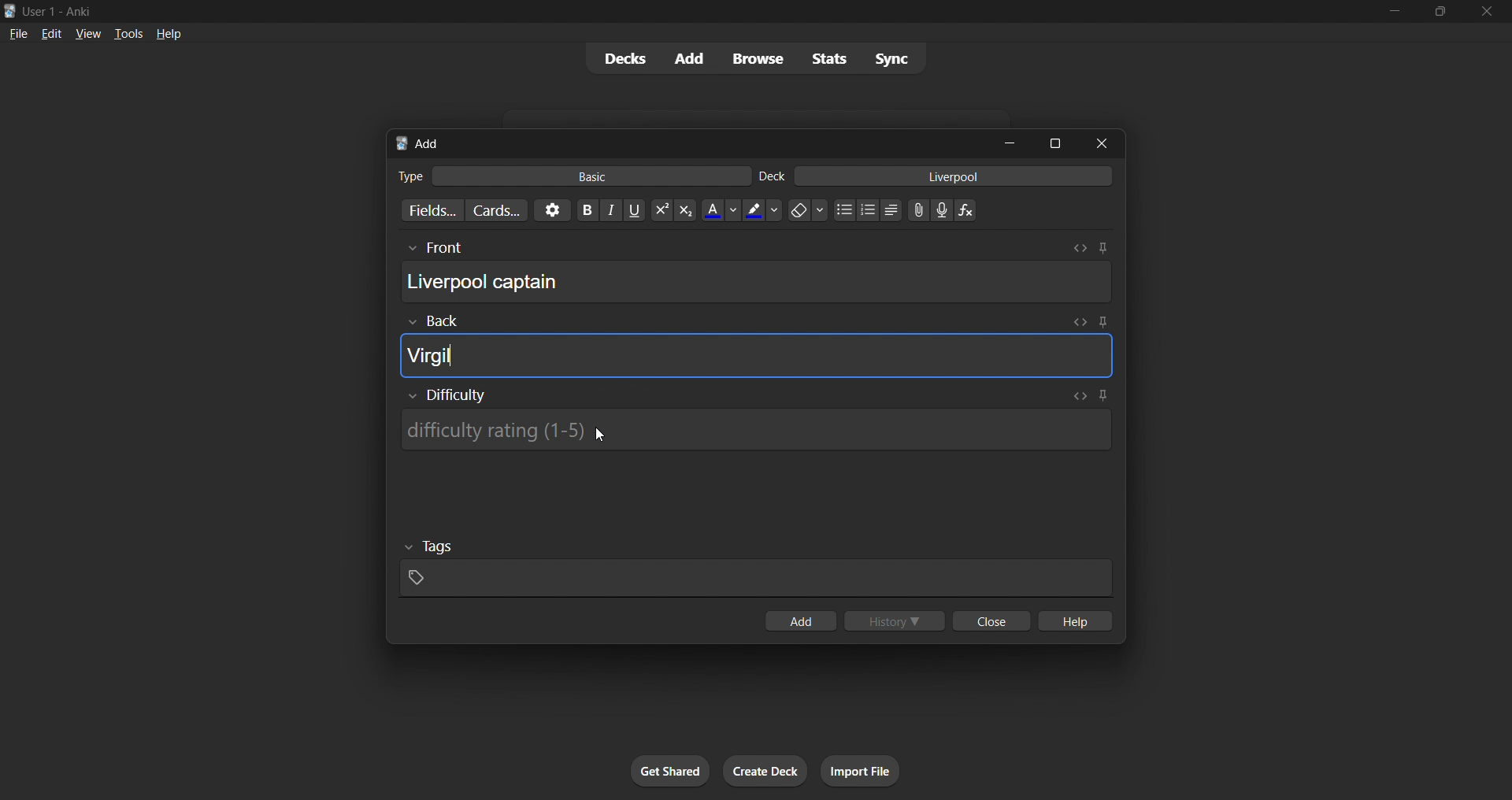 This screenshot has height=800, width=1512. What do you see at coordinates (954, 176) in the screenshot?
I see `card deck input` at bounding box center [954, 176].